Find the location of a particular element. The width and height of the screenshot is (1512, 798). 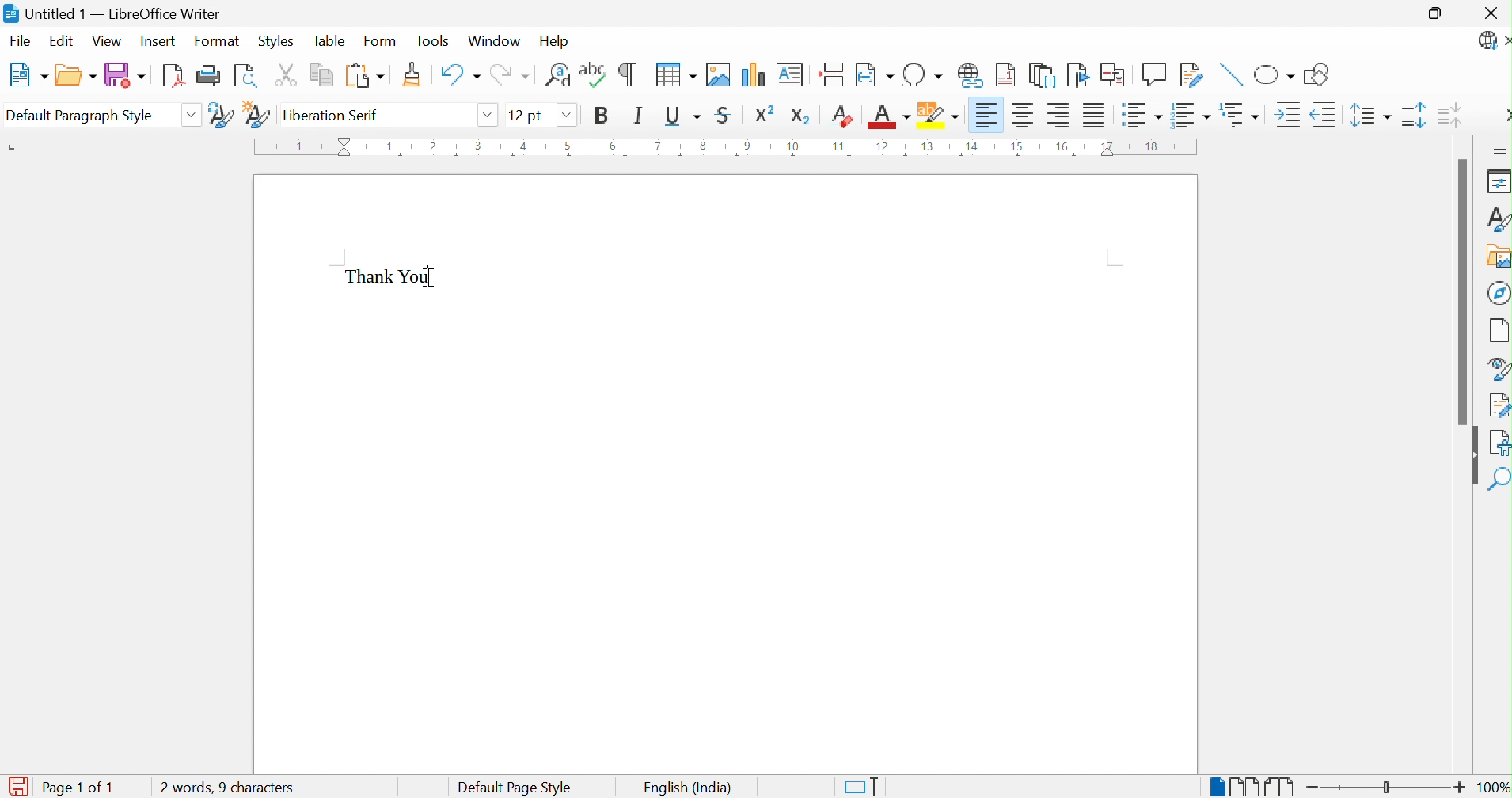

New Style from Selection is located at coordinates (256, 113).